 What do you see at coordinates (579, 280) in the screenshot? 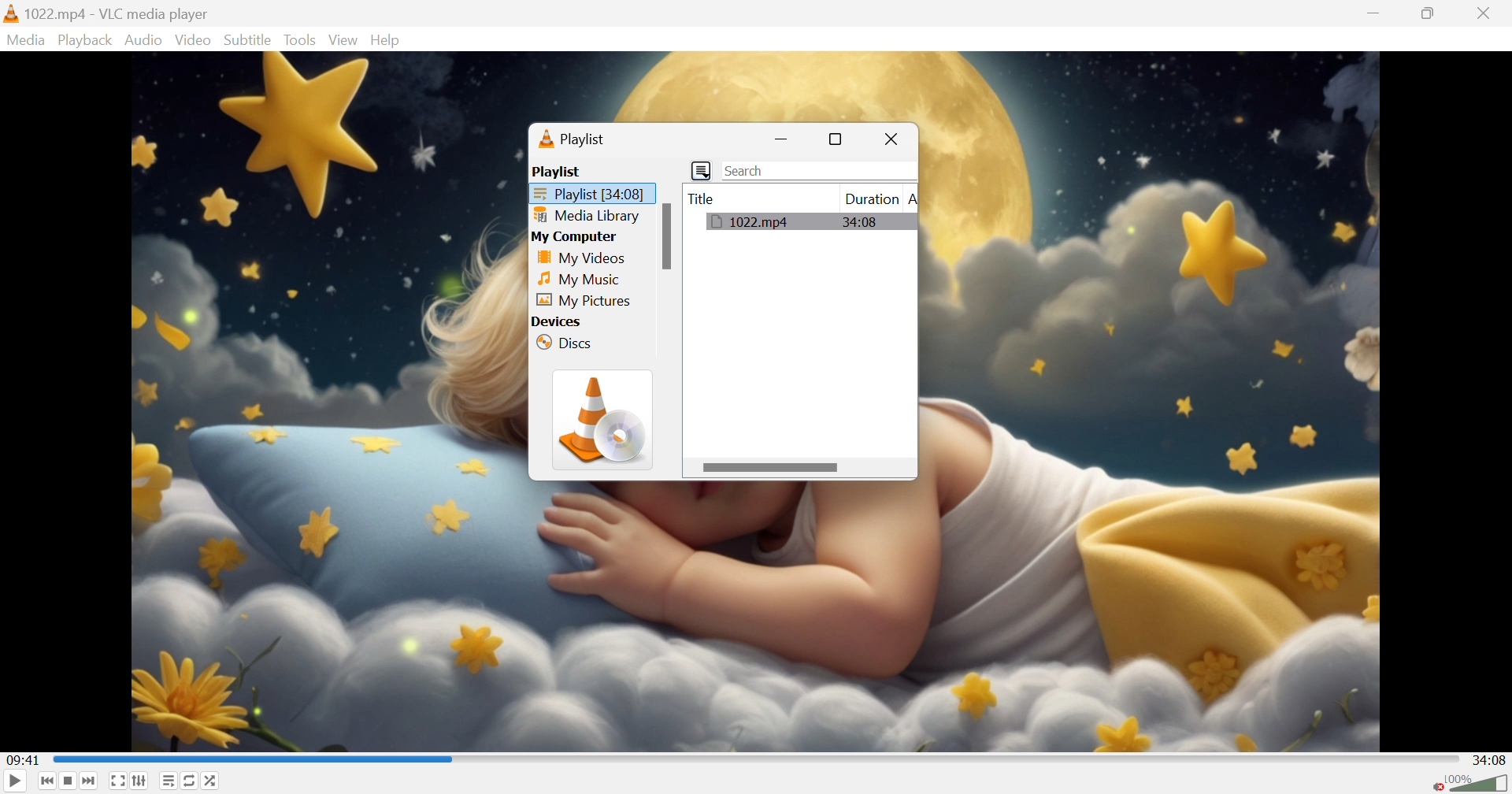
I see `My Music` at bounding box center [579, 280].